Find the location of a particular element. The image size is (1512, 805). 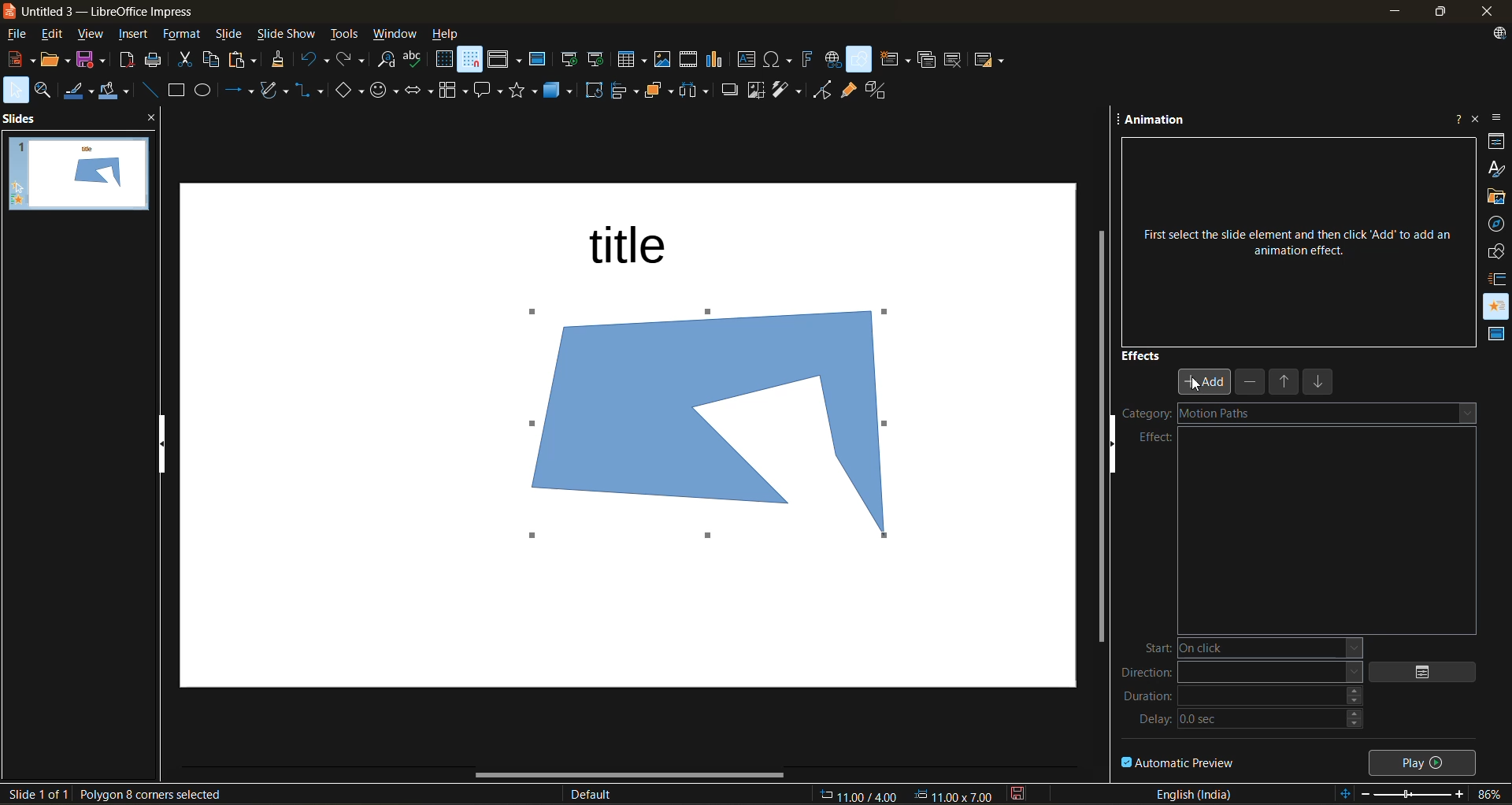

navigator is located at coordinates (1499, 224).